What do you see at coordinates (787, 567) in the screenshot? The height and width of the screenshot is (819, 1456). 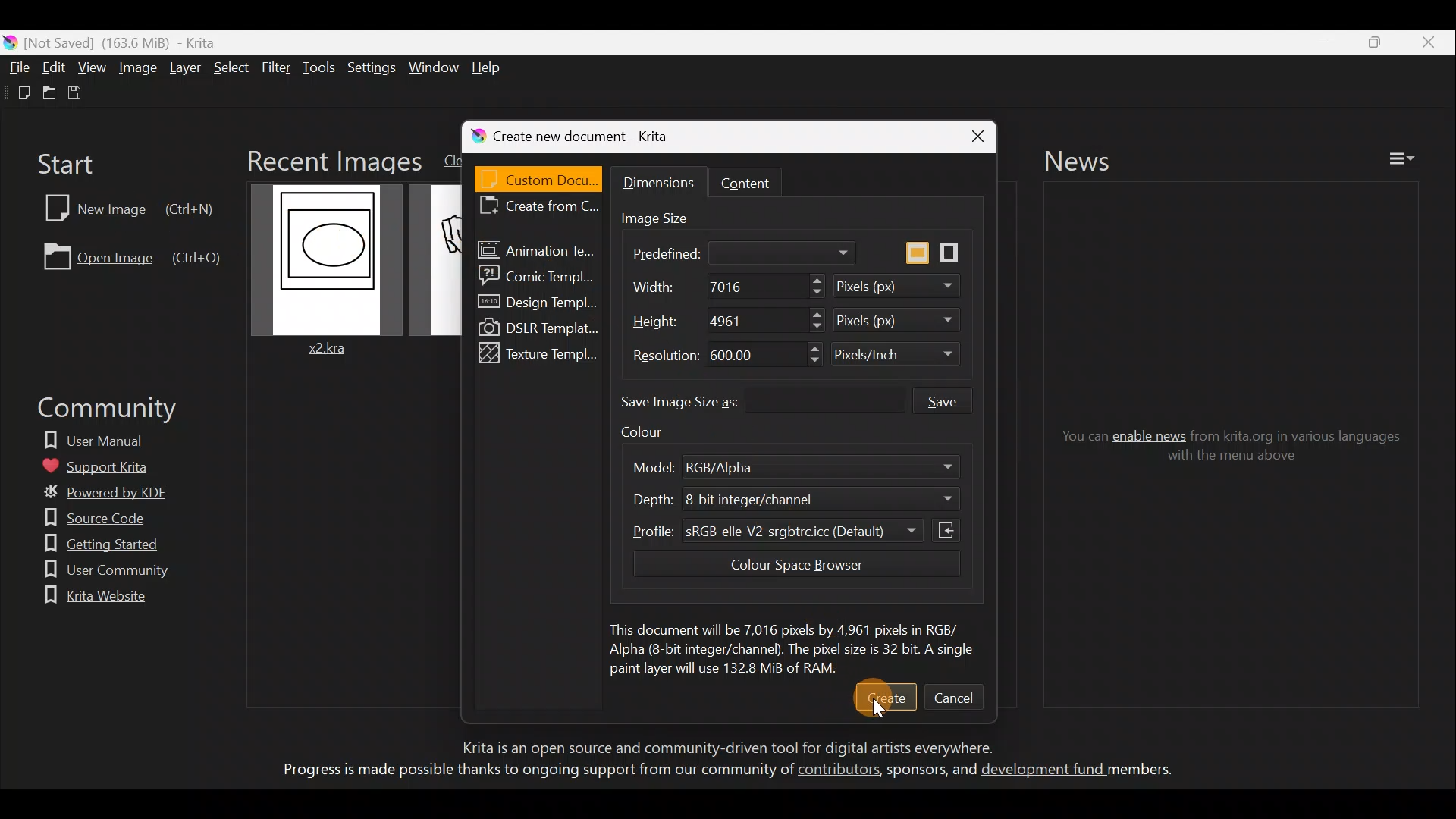 I see `Color space browser` at bounding box center [787, 567].